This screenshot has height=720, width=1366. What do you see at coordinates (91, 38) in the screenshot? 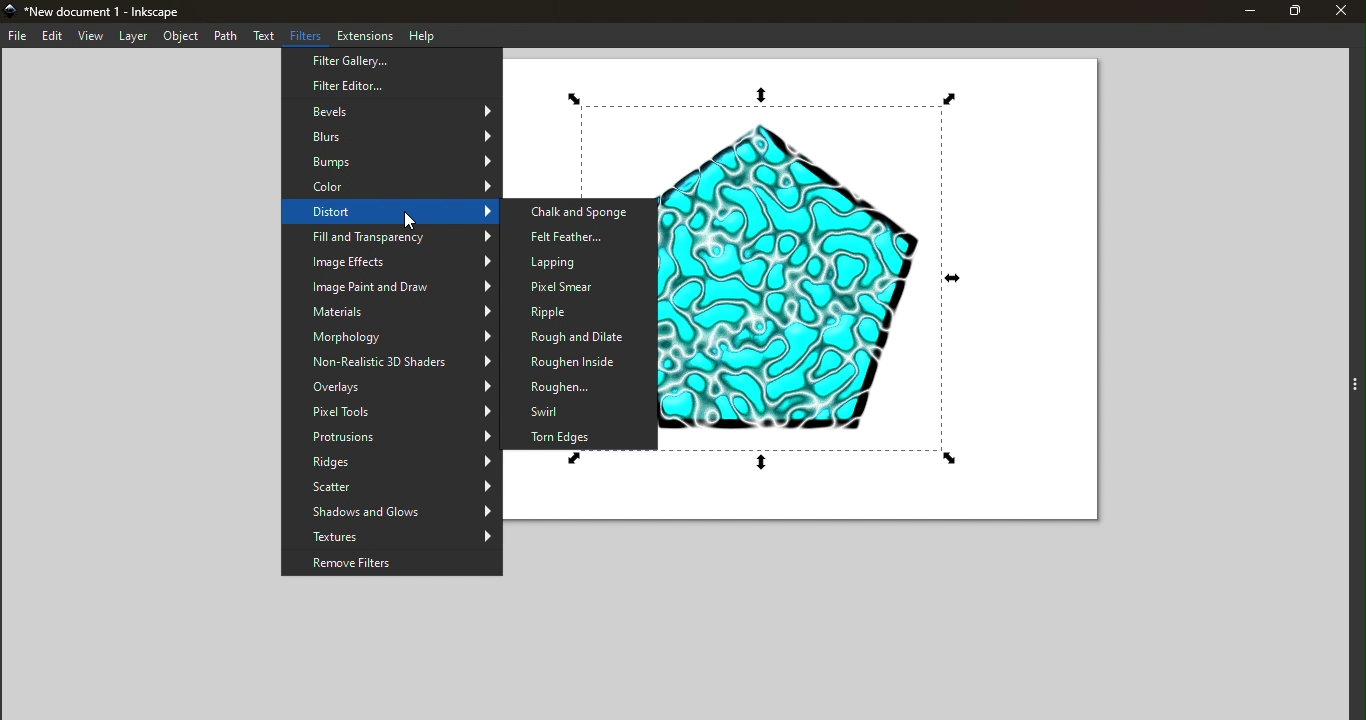
I see `View` at bounding box center [91, 38].